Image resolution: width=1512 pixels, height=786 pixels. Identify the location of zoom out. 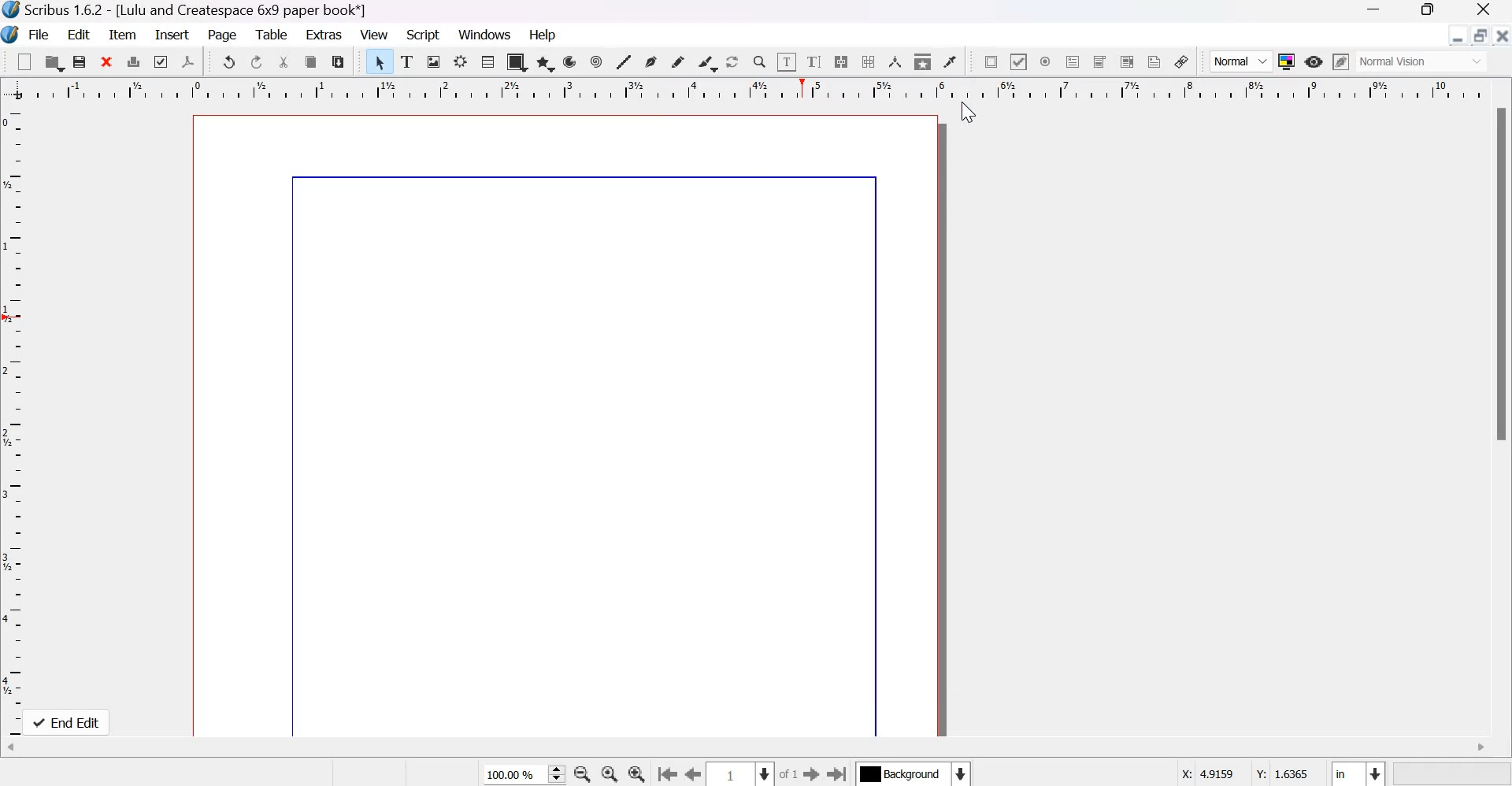
(580, 773).